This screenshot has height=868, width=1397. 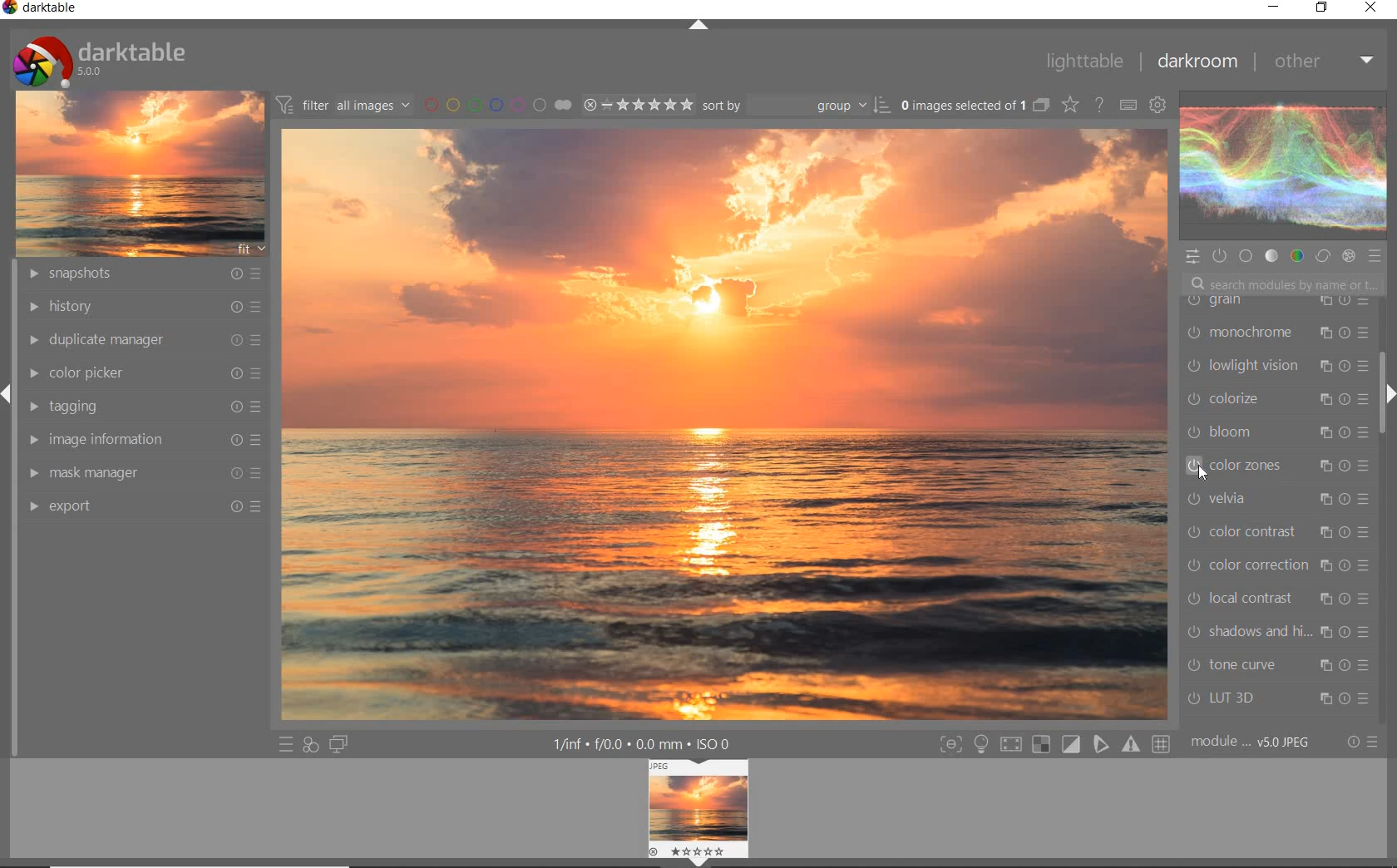 What do you see at coordinates (1069, 104) in the screenshot?
I see `CHANGE TYPE FOR OVER RELAY` at bounding box center [1069, 104].